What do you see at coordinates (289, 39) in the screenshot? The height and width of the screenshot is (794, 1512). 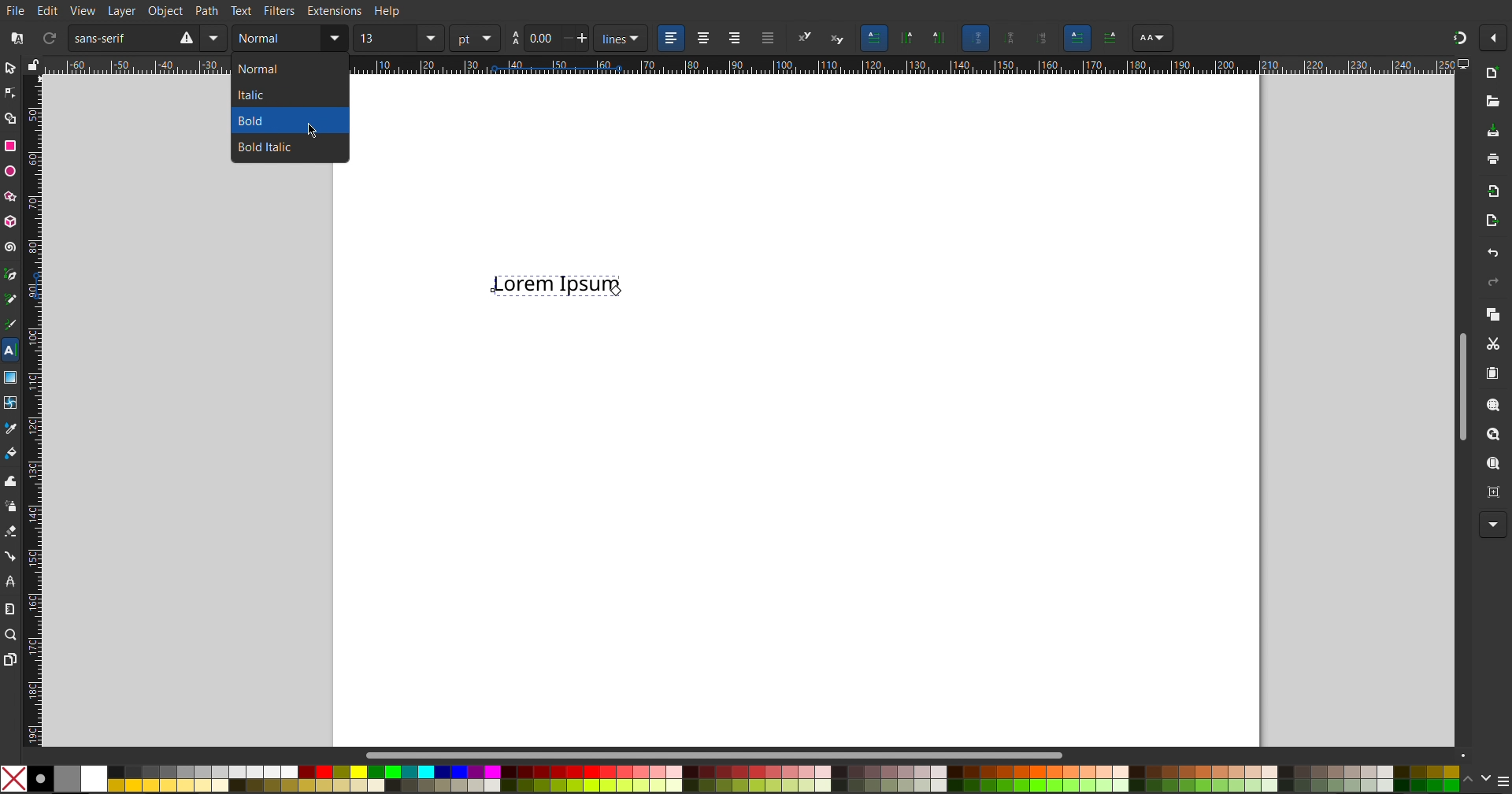 I see `Font Style` at bounding box center [289, 39].